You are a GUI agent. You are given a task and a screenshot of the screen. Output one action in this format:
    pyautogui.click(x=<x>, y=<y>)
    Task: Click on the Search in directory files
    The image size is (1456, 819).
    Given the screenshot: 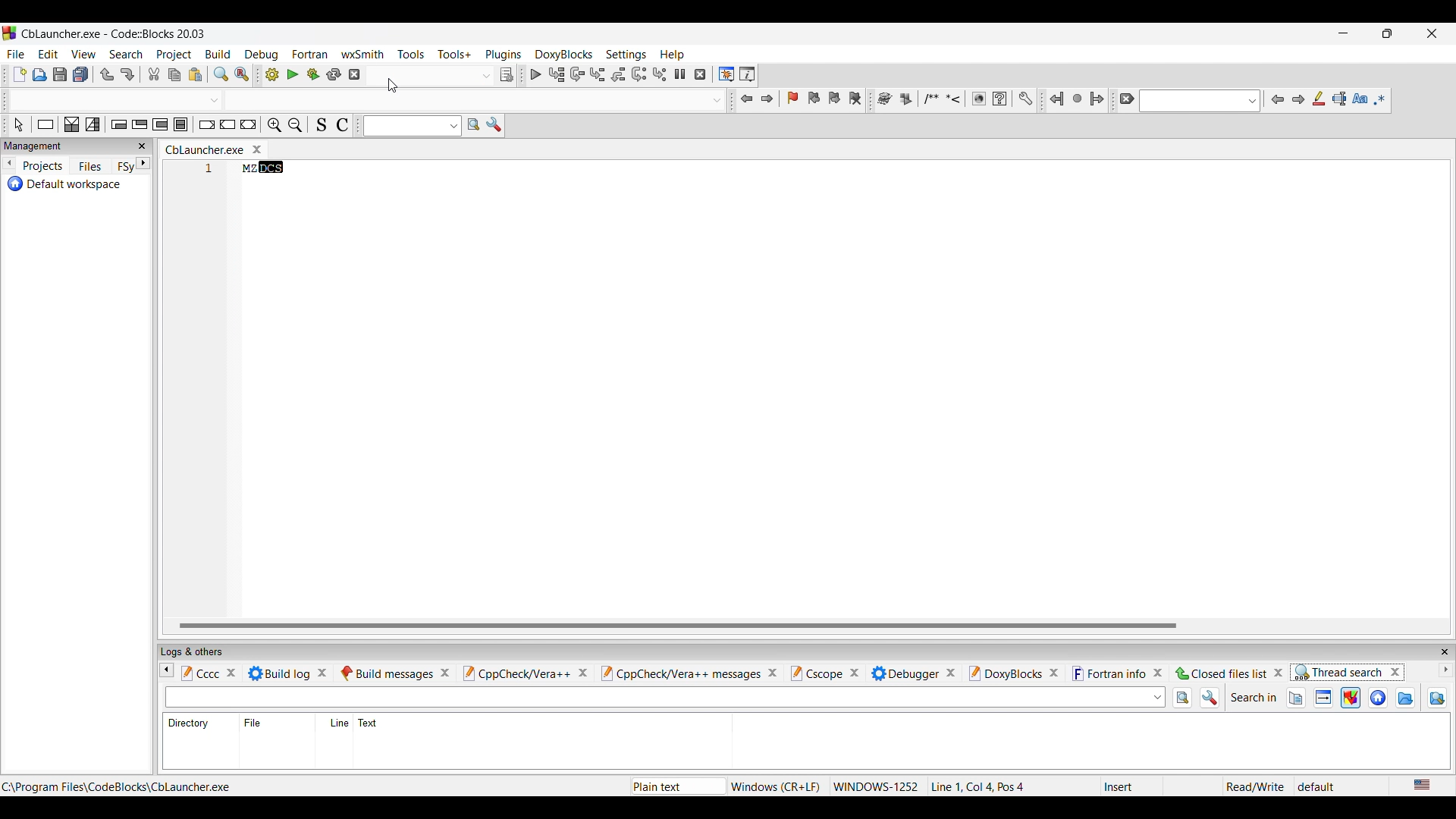 What is the action you would take?
    pyautogui.click(x=1406, y=698)
    